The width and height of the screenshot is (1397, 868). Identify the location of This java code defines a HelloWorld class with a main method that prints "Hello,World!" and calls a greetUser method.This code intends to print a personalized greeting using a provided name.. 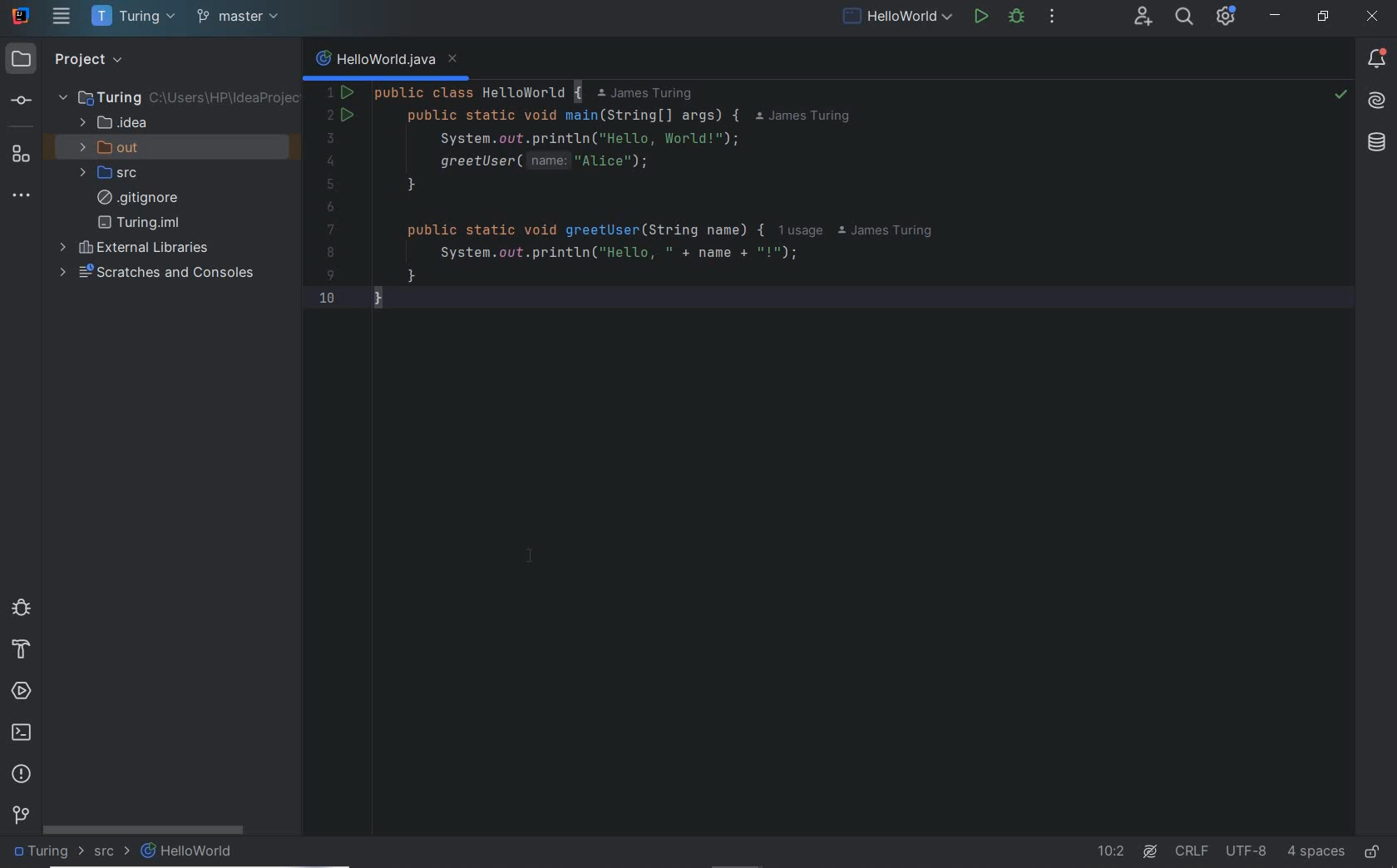
(703, 206).